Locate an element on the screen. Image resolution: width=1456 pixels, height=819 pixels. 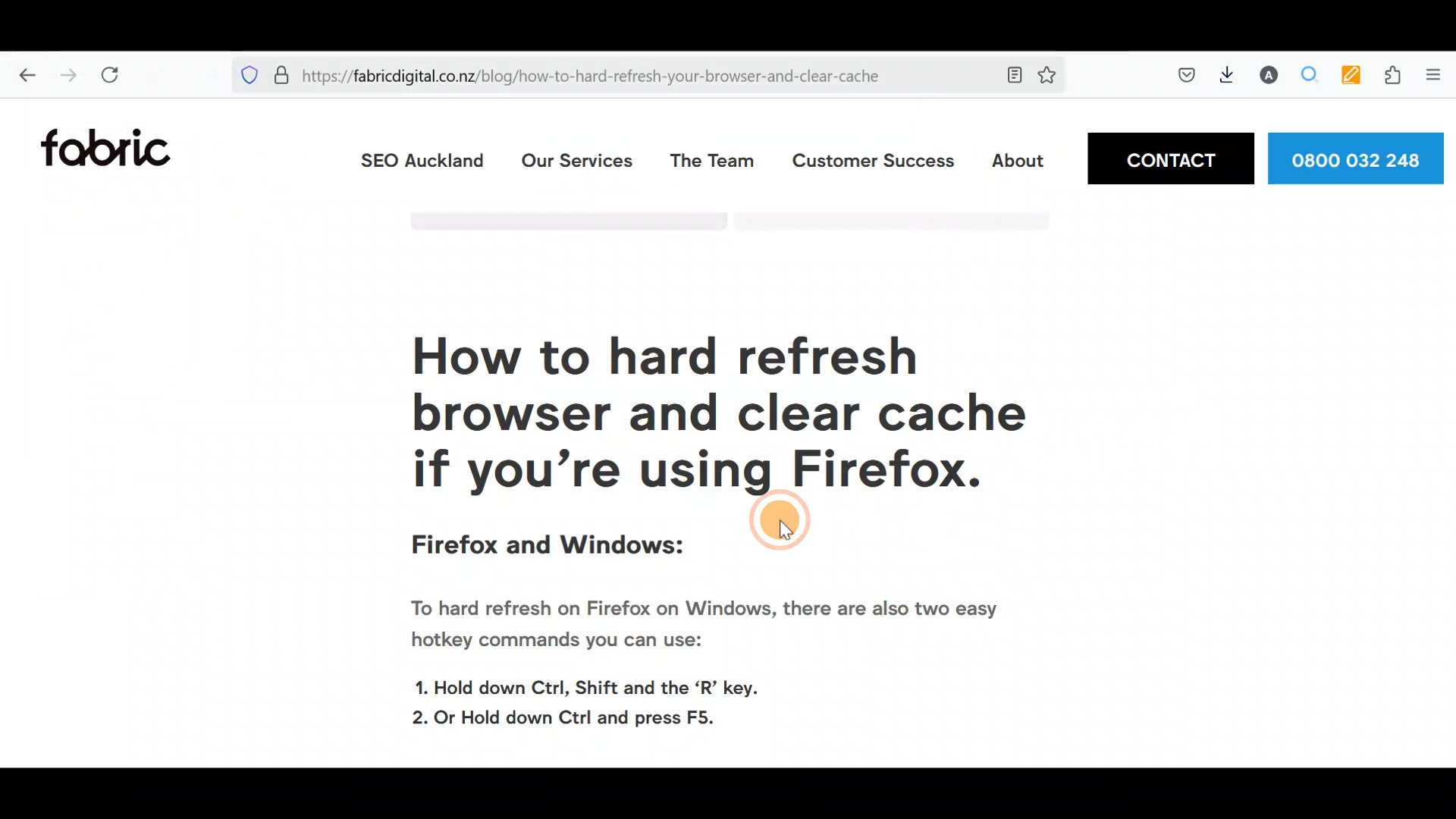
Account is located at coordinates (1272, 75).